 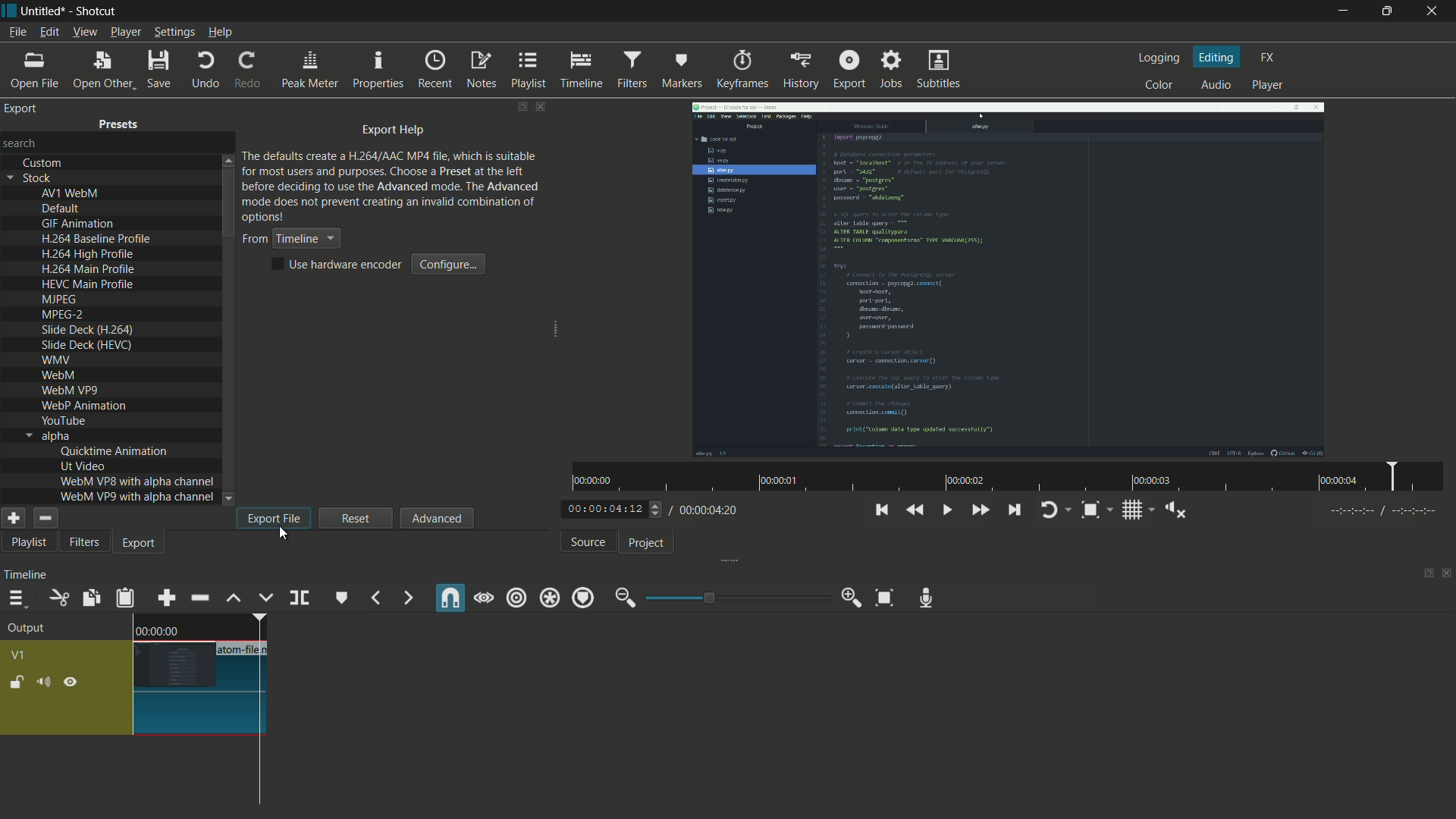 What do you see at coordinates (893, 70) in the screenshot?
I see `jobs` at bounding box center [893, 70].